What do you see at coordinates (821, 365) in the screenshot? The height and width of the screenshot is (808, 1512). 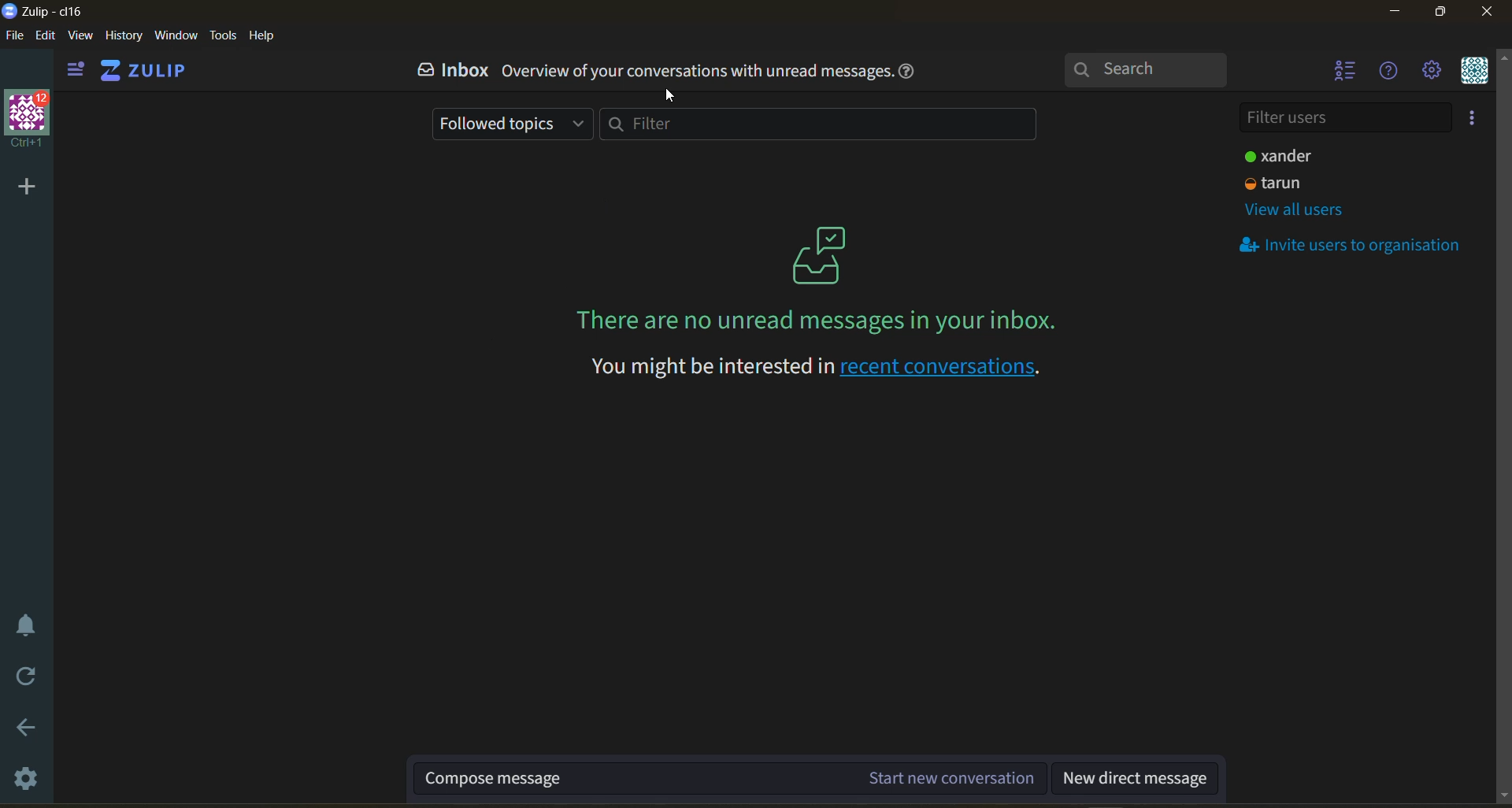 I see `recent conversations` at bounding box center [821, 365].